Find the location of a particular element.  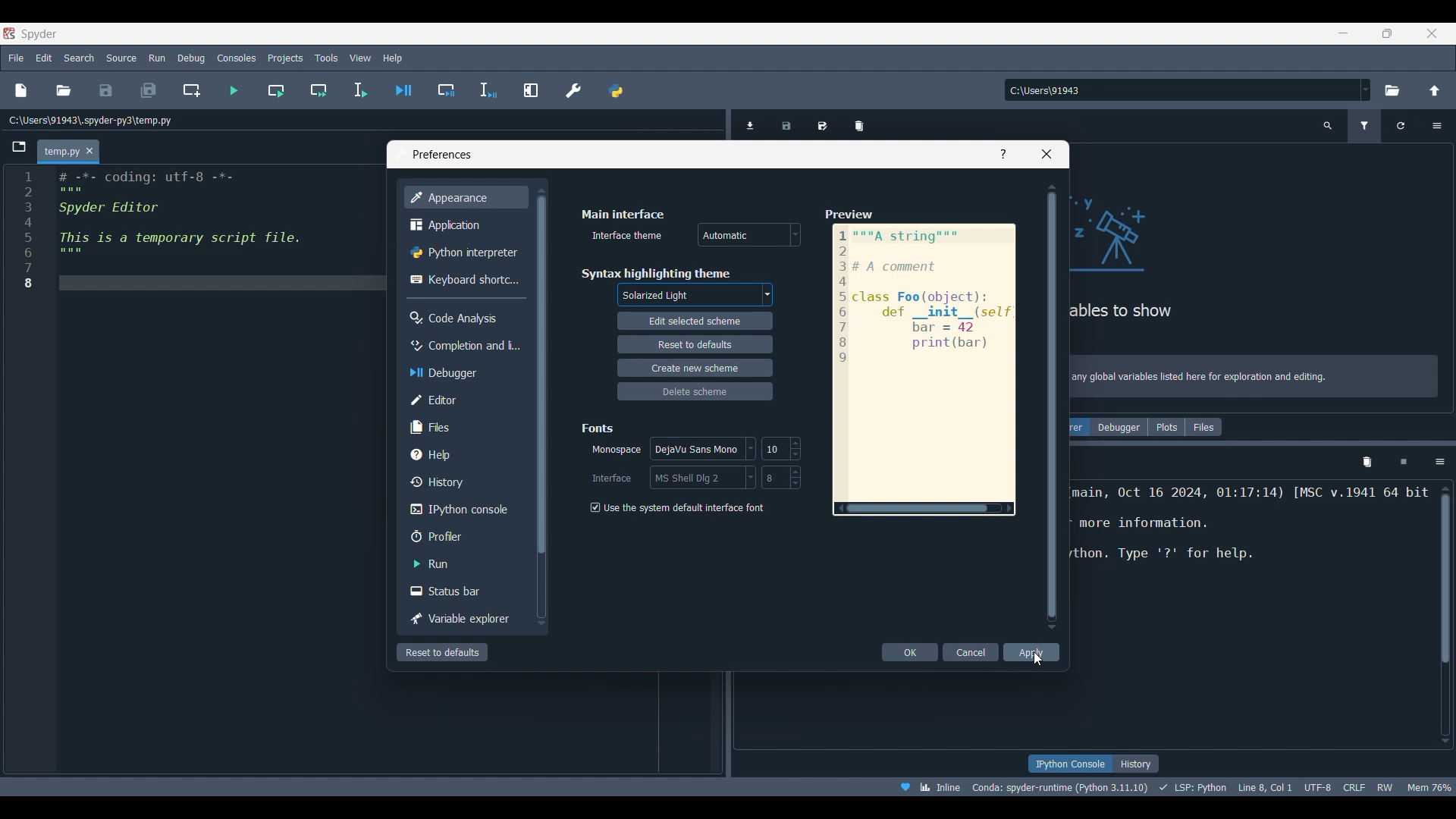

Window title is located at coordinates (442, 155).